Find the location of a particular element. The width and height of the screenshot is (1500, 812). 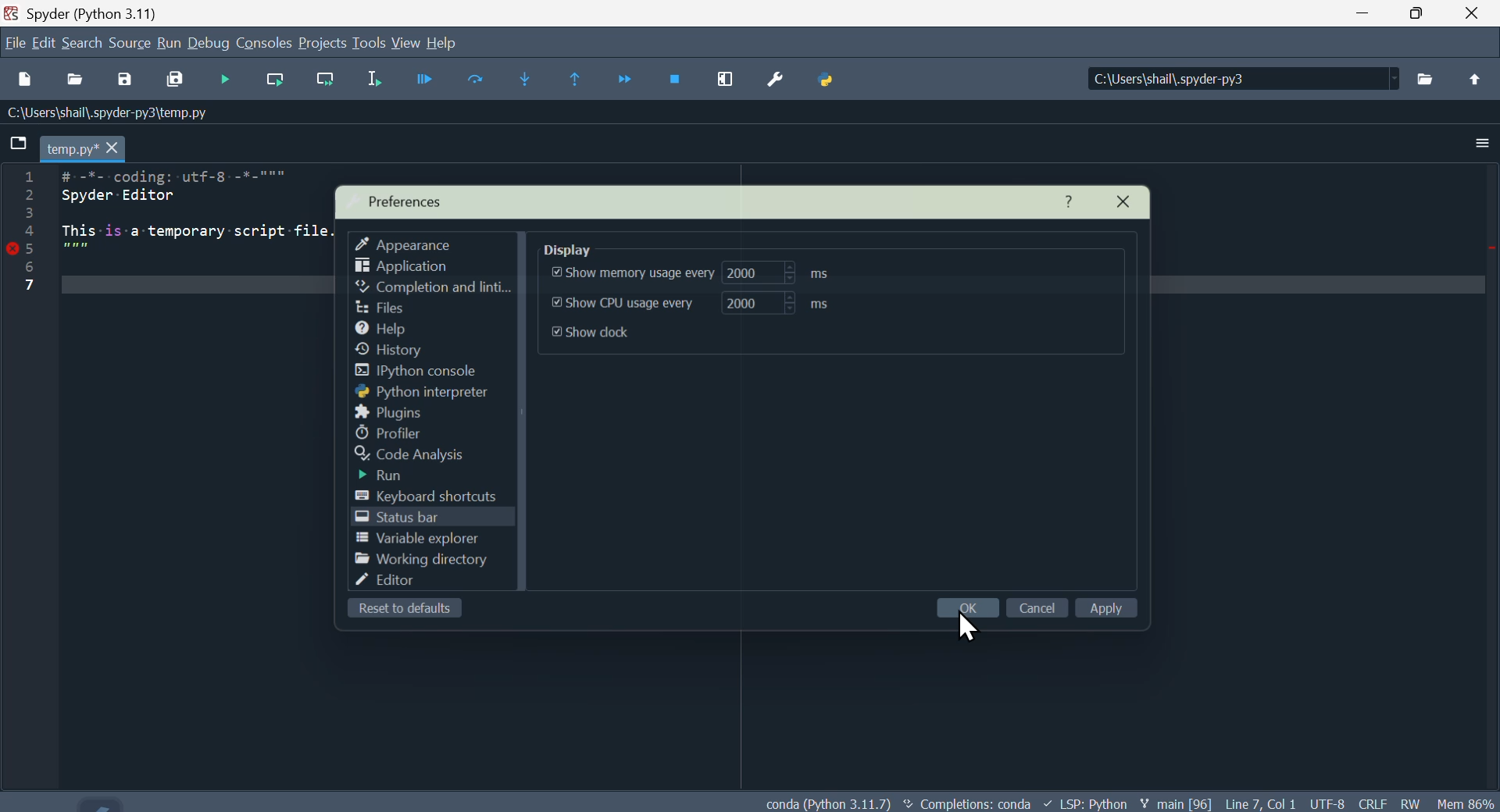

Project is located at coordinates (323, 45).